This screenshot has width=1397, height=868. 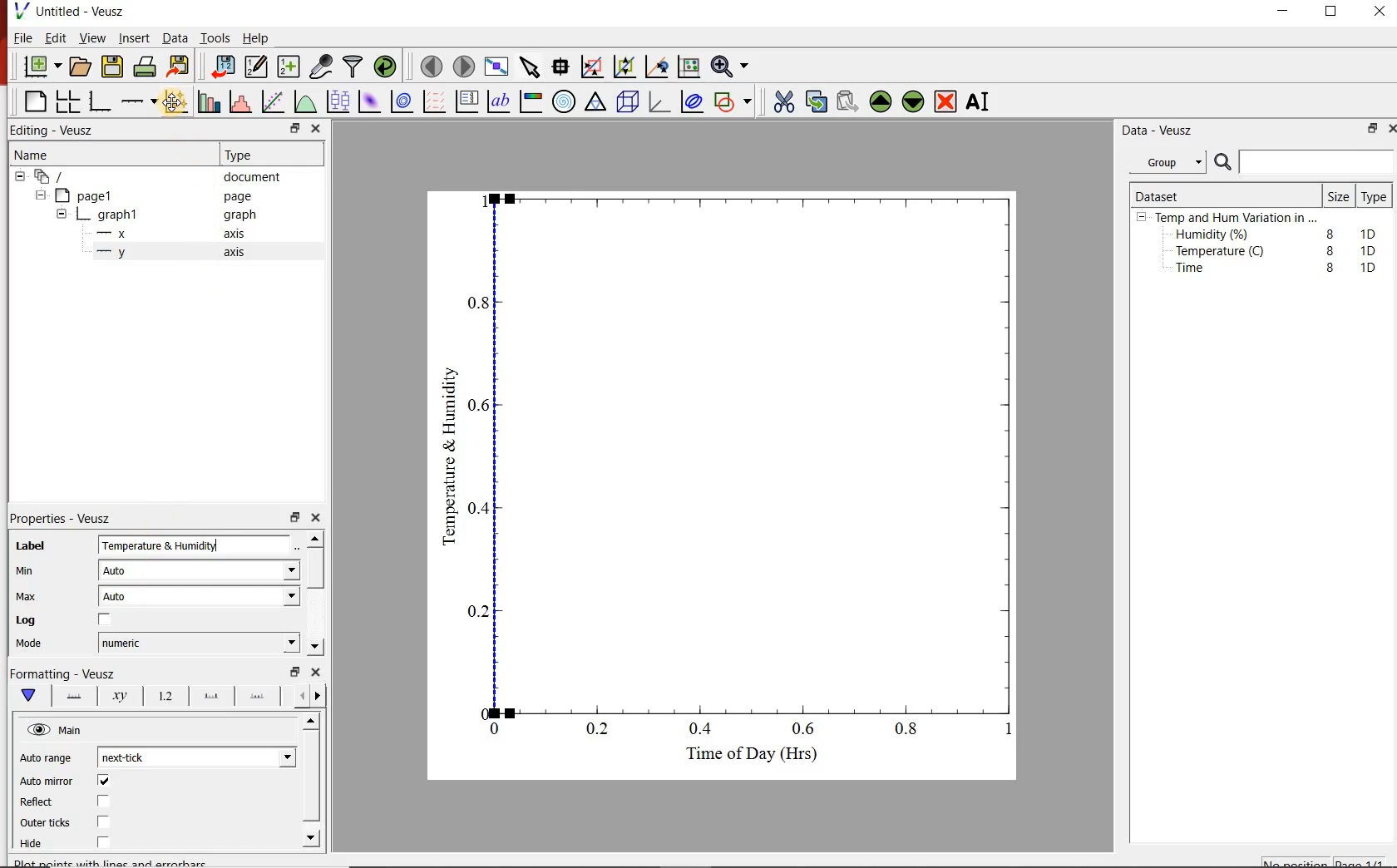 What do you see at coordinates (274, 101) in the screenshot?
I see `Fit a function to data` at bounding box center [274, 101].